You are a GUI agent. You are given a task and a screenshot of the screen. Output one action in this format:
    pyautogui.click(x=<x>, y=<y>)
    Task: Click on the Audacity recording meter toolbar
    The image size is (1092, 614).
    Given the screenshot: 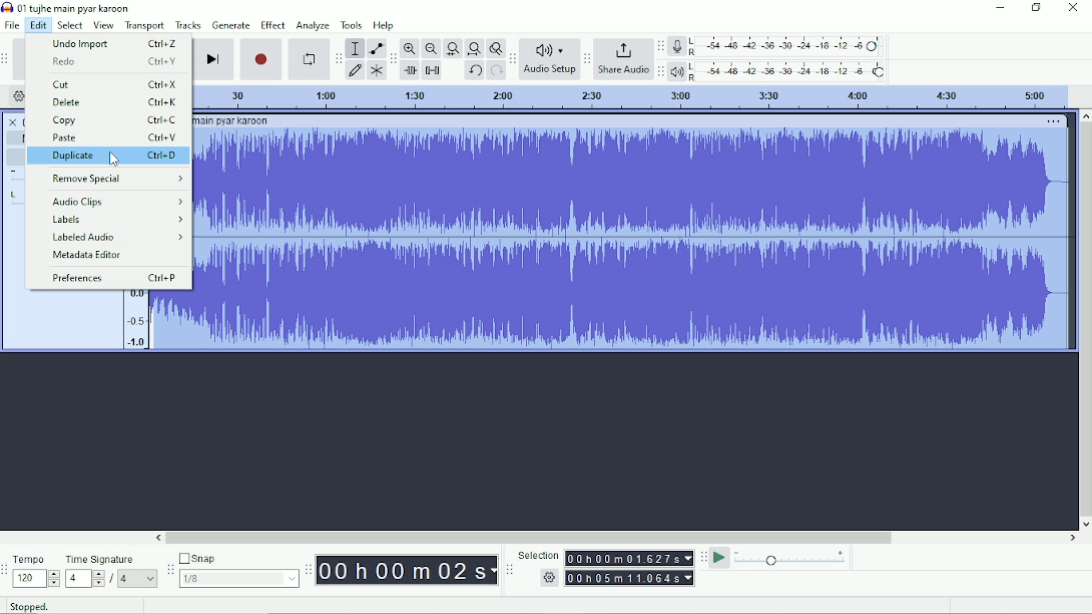 What is the action you would take?
    pyautogui.click(x=661, y=46)
    